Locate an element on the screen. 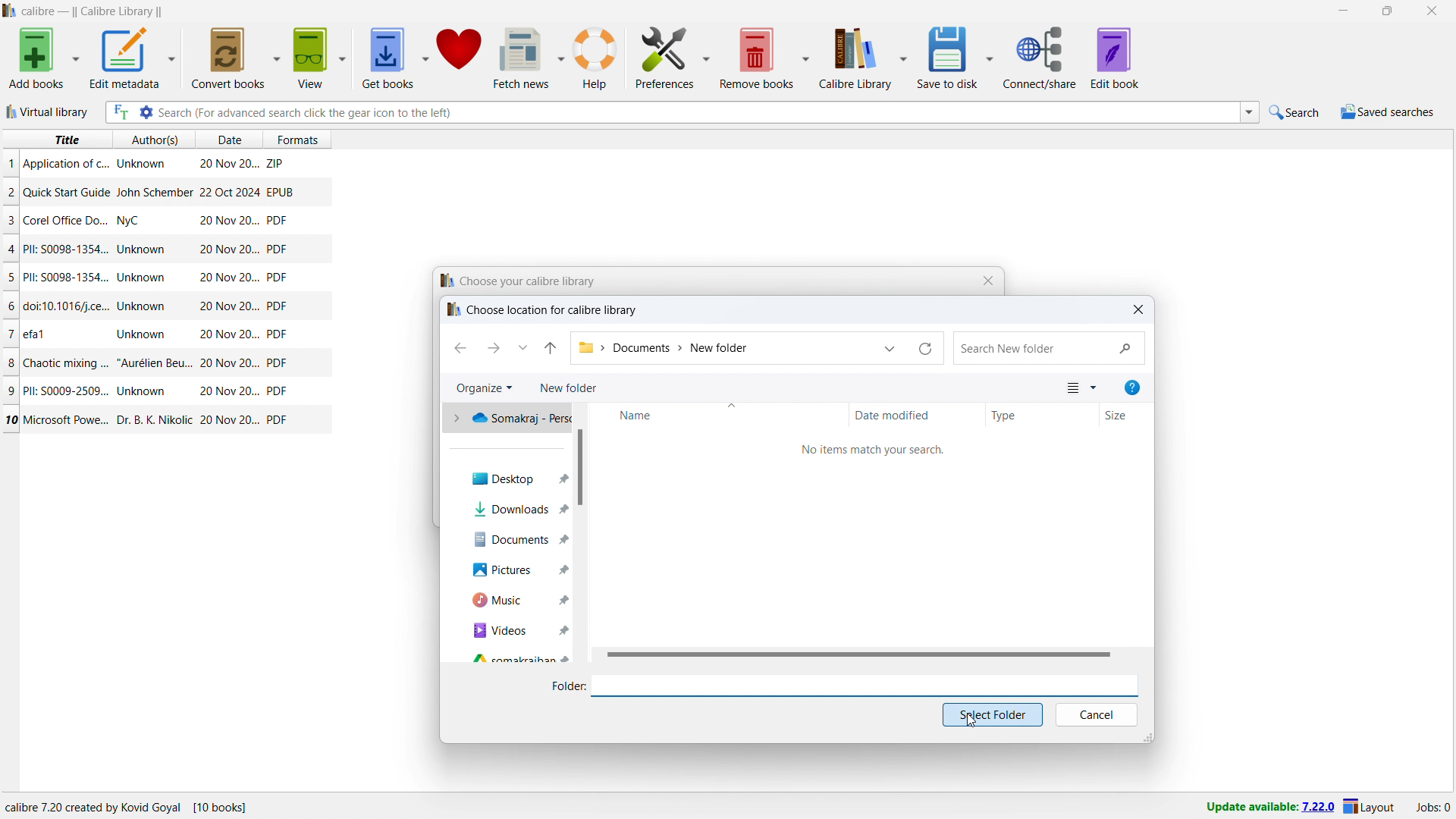 The image size is (1456, 819). cancel is located at coordinates (1097, 715).